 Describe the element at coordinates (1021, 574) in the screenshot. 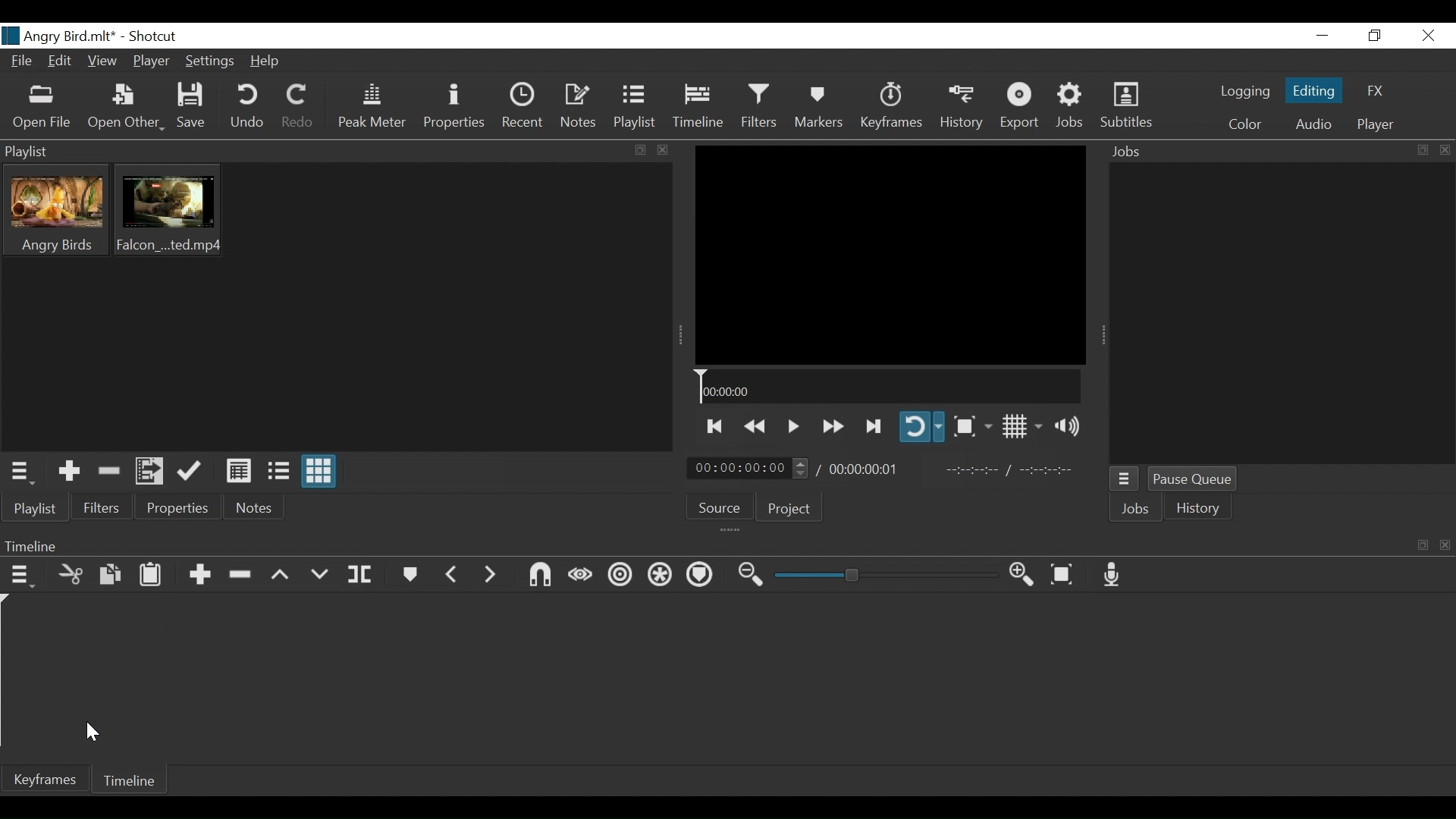

I see `Zoom timeline in` at that location.